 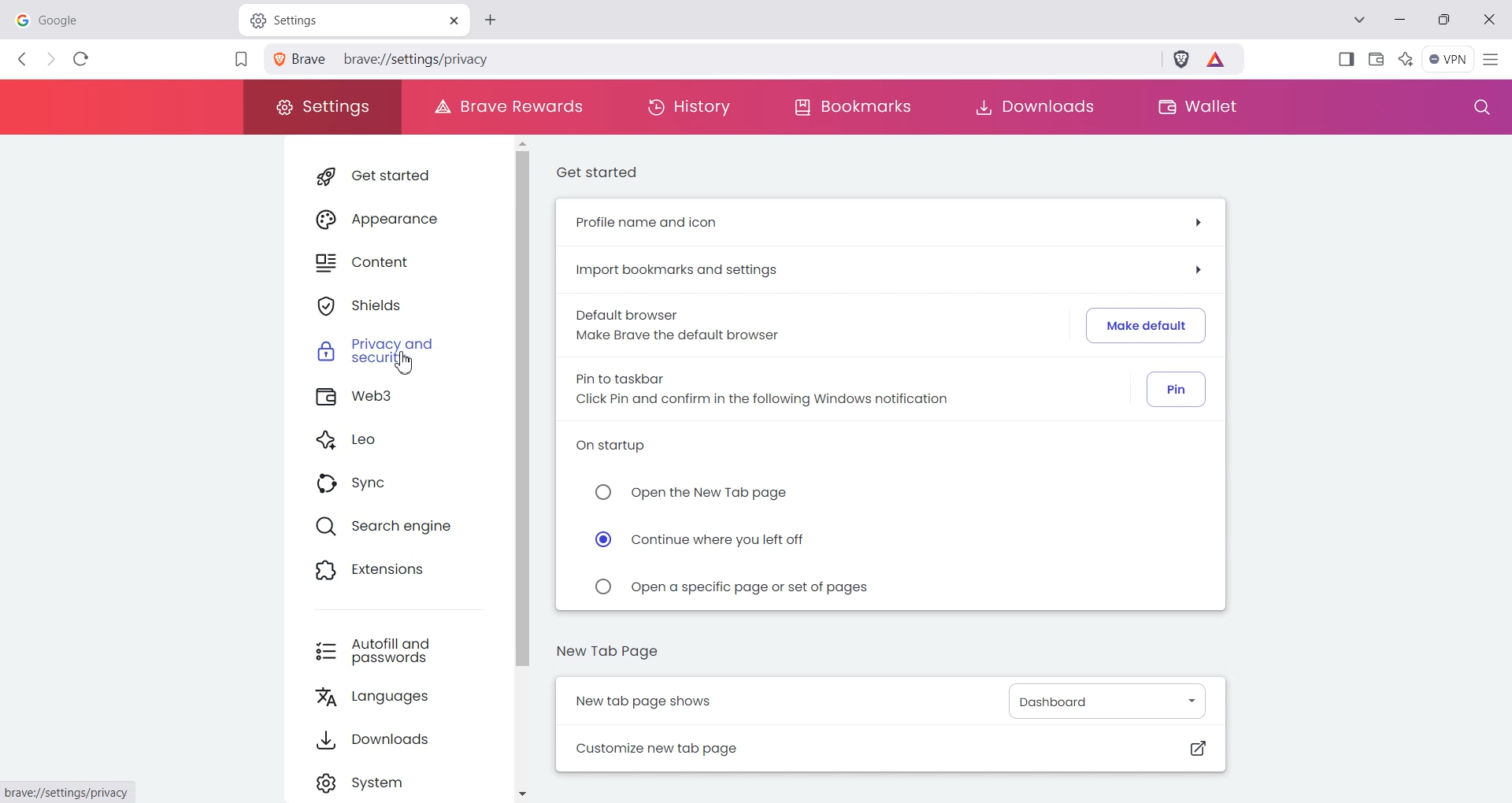 I want to click on Bookmarks, so click(x=852, y=108).